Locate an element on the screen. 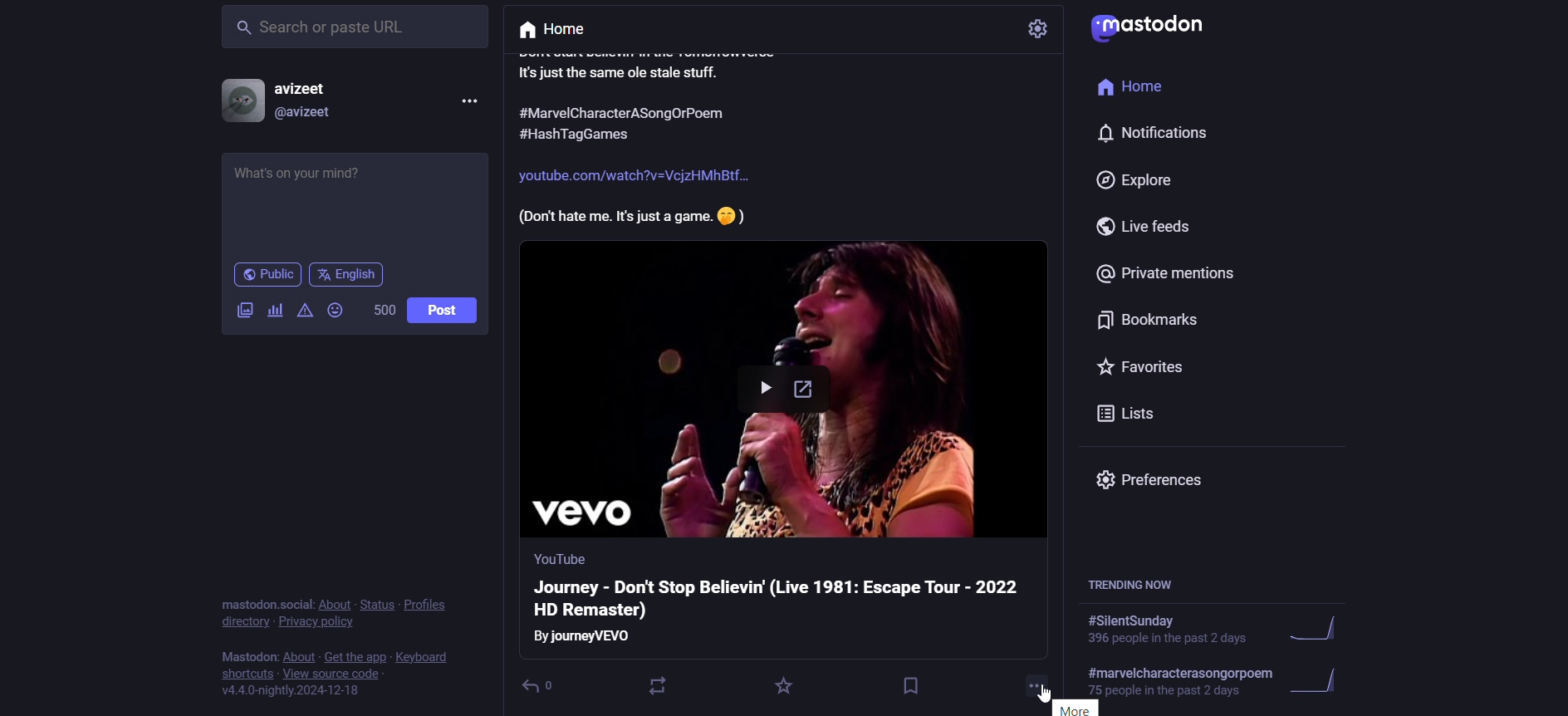 The height and width of the screenshot is (716, 1568). reply is located at coordinates (547, 684).